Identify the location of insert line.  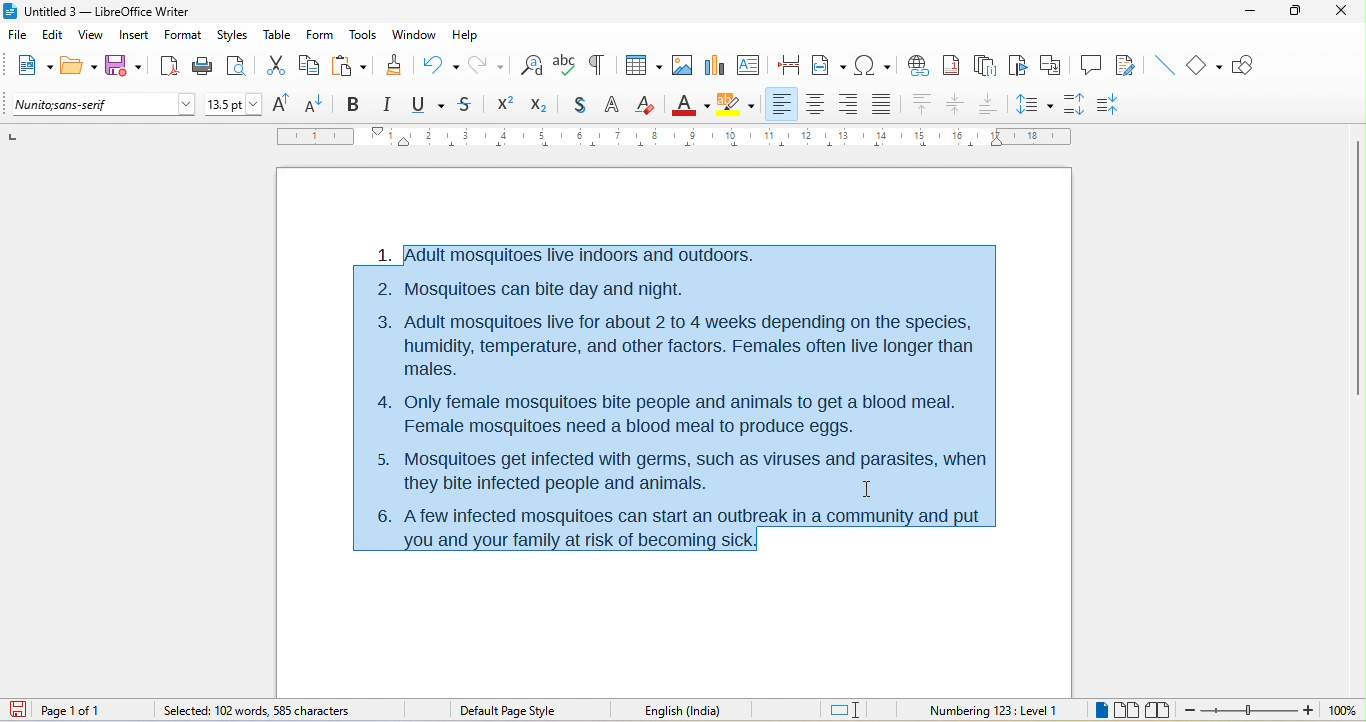
(1163, 64).